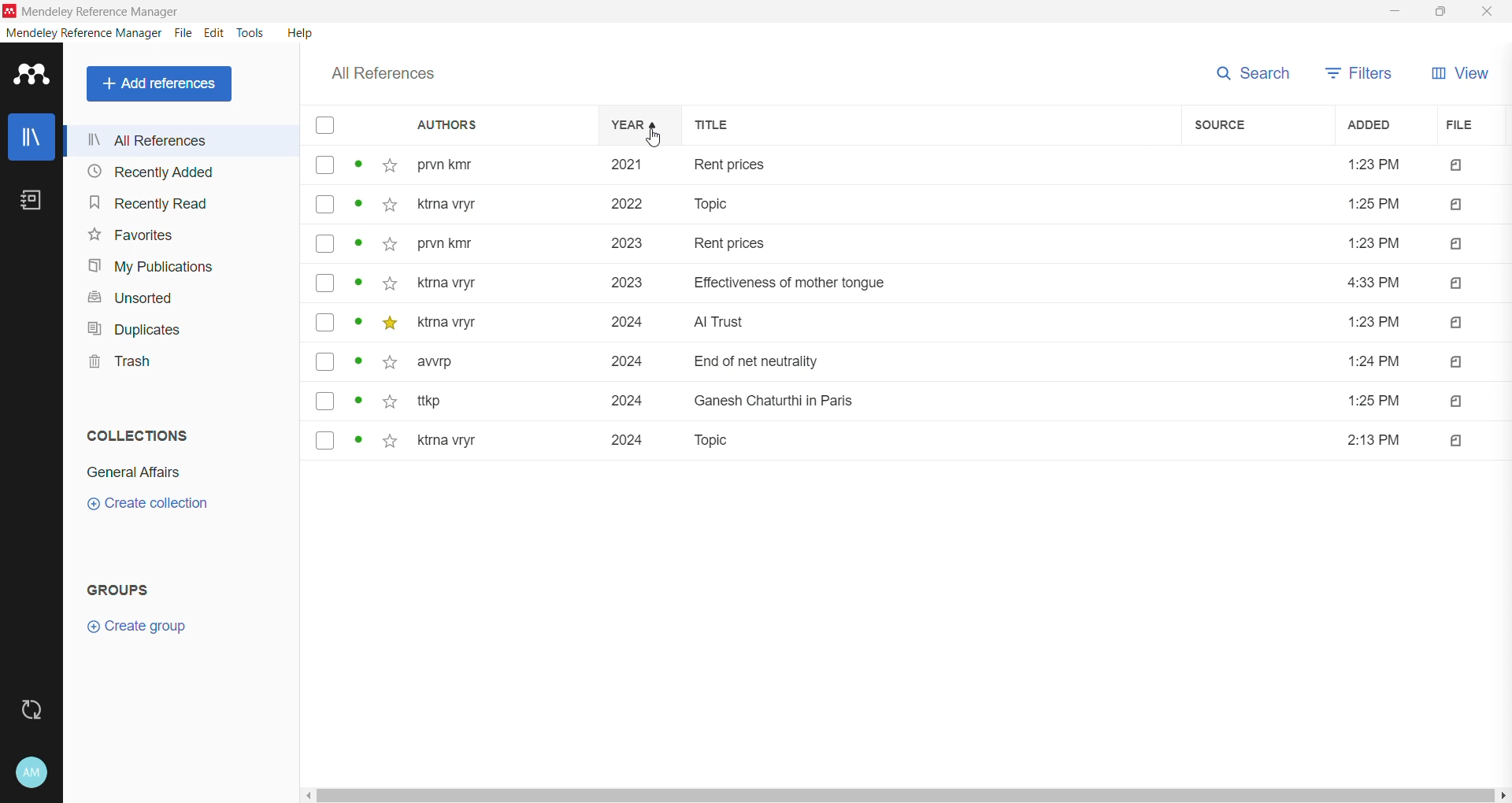 The width and height of the screenshot is (1512, 803). I want to click on click to add to favorites, so click(391, 283).